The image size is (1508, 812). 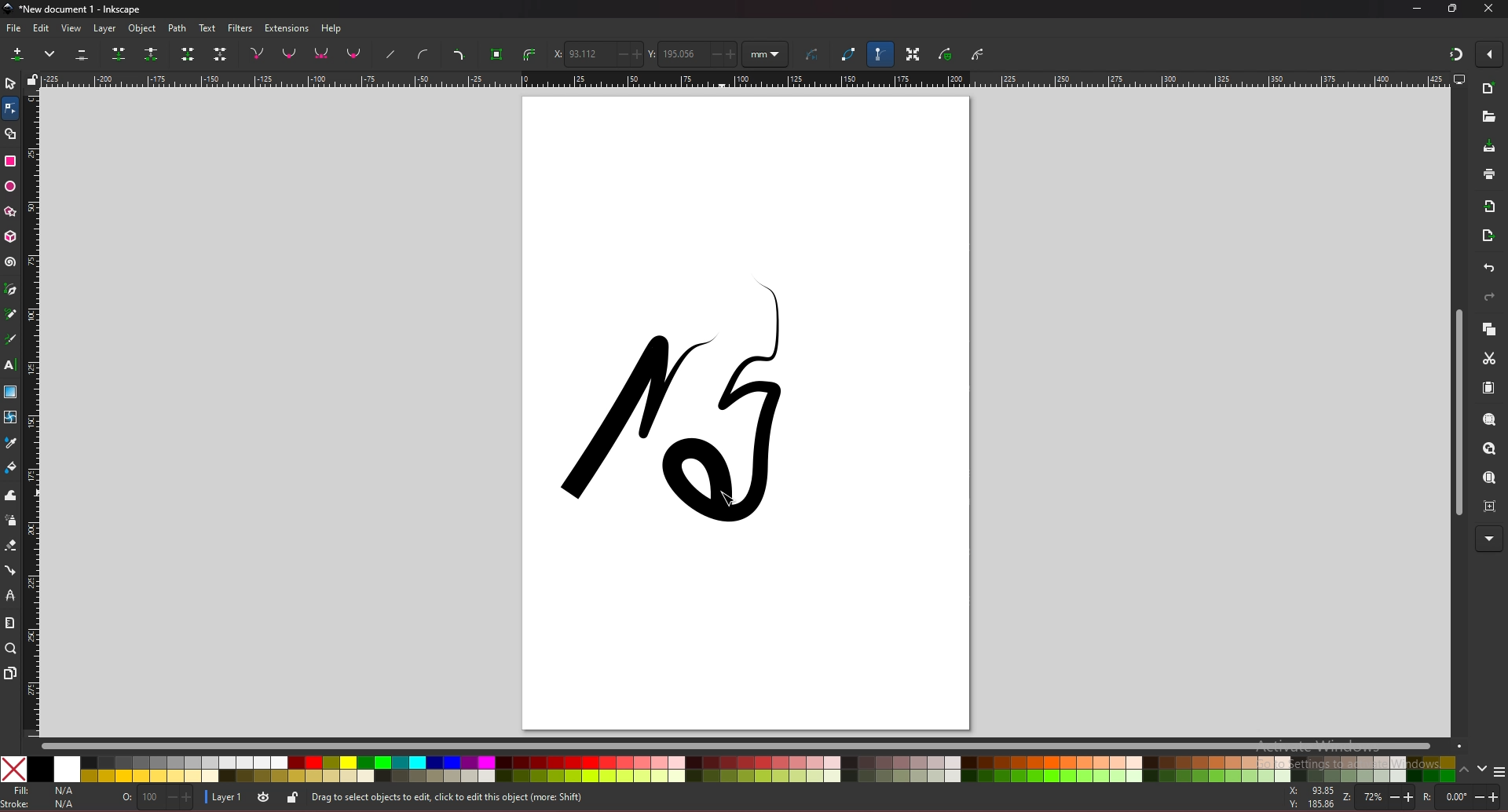 What do you see at coordinates (1488, 388) in the screenshot?
I see `paste` at bounding box center [1488, 388].